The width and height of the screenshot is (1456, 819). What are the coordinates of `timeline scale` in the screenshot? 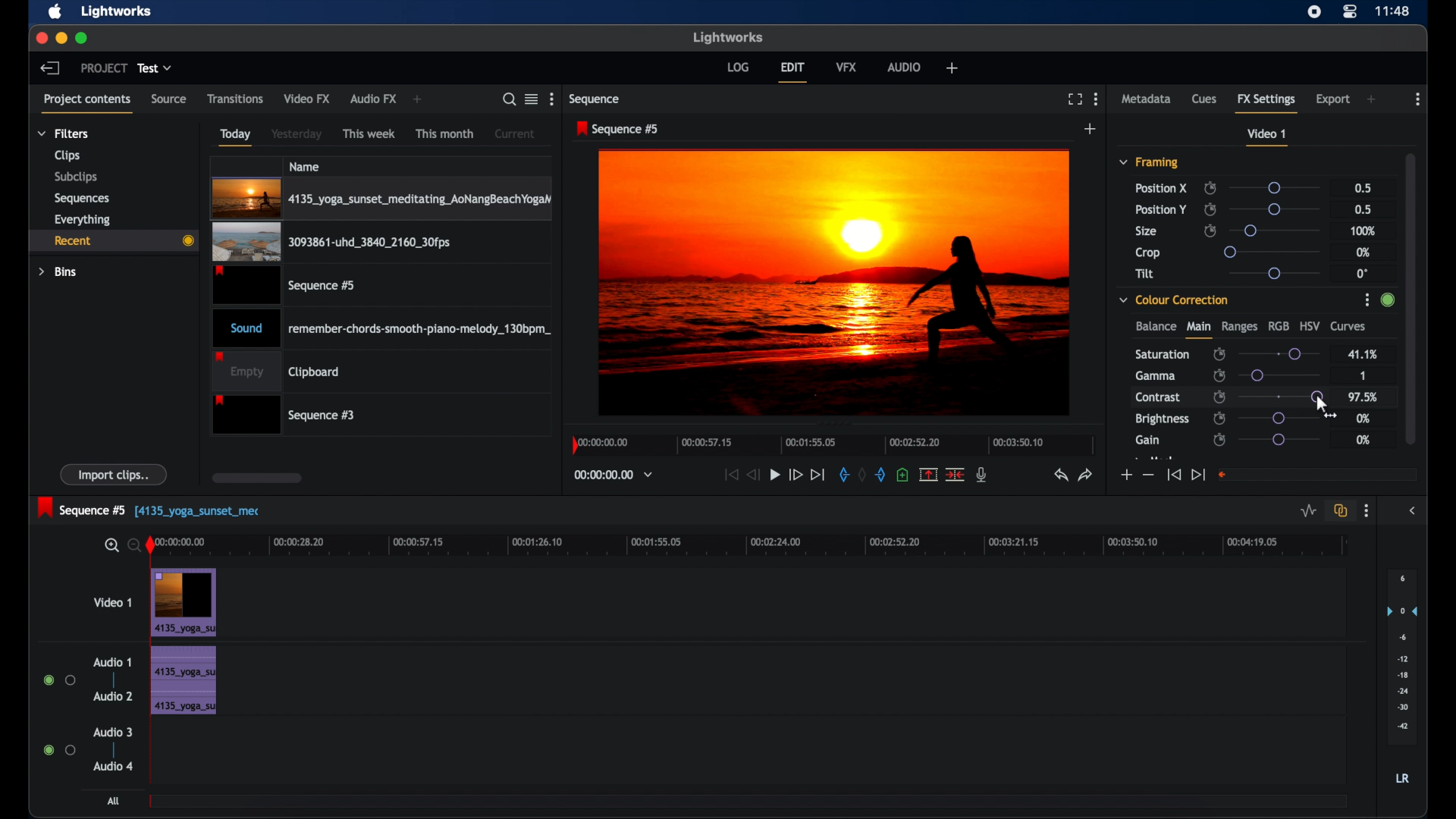 It's located at (759, 547).